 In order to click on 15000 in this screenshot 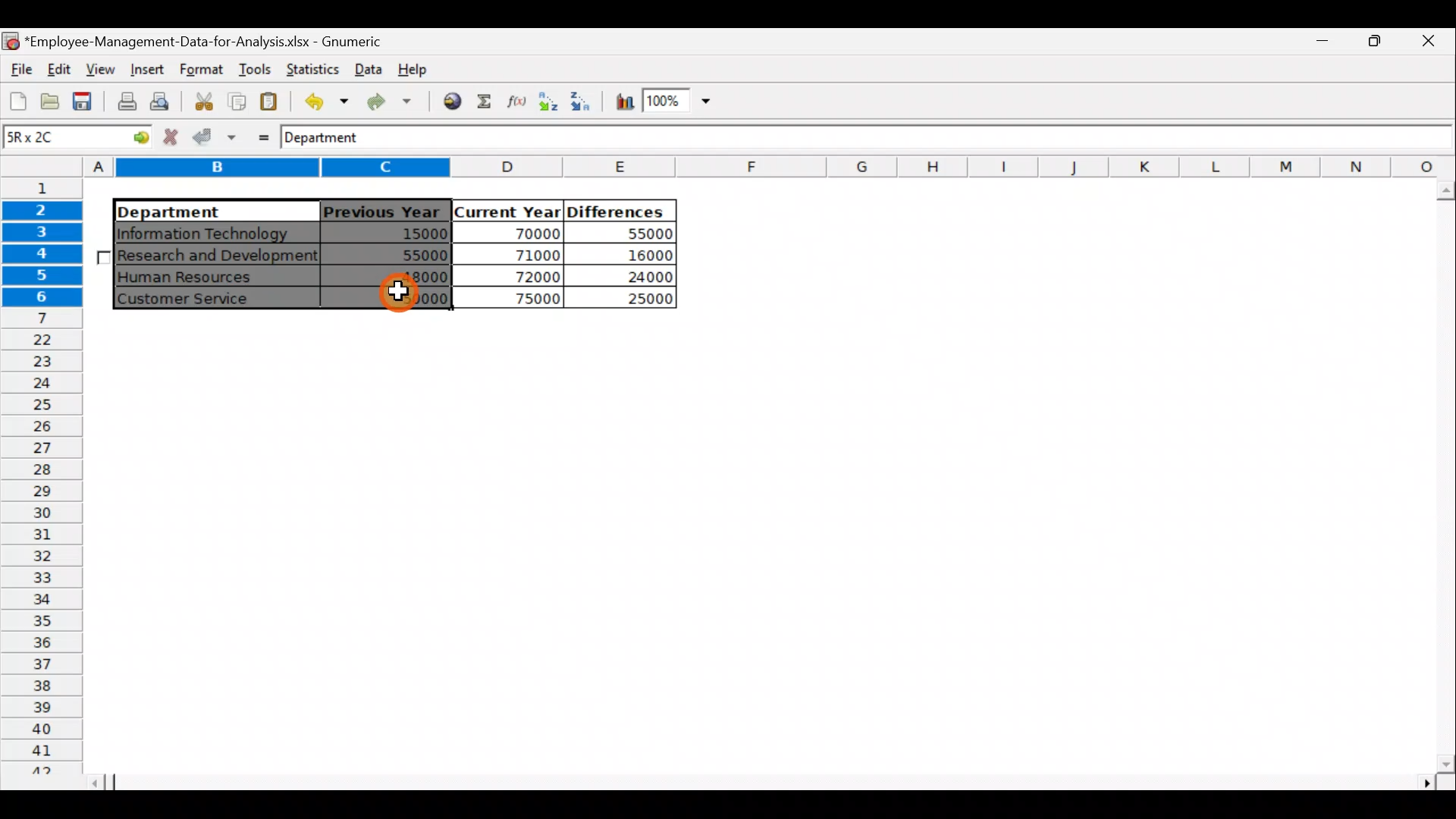, I will do `click(397, 236)`.